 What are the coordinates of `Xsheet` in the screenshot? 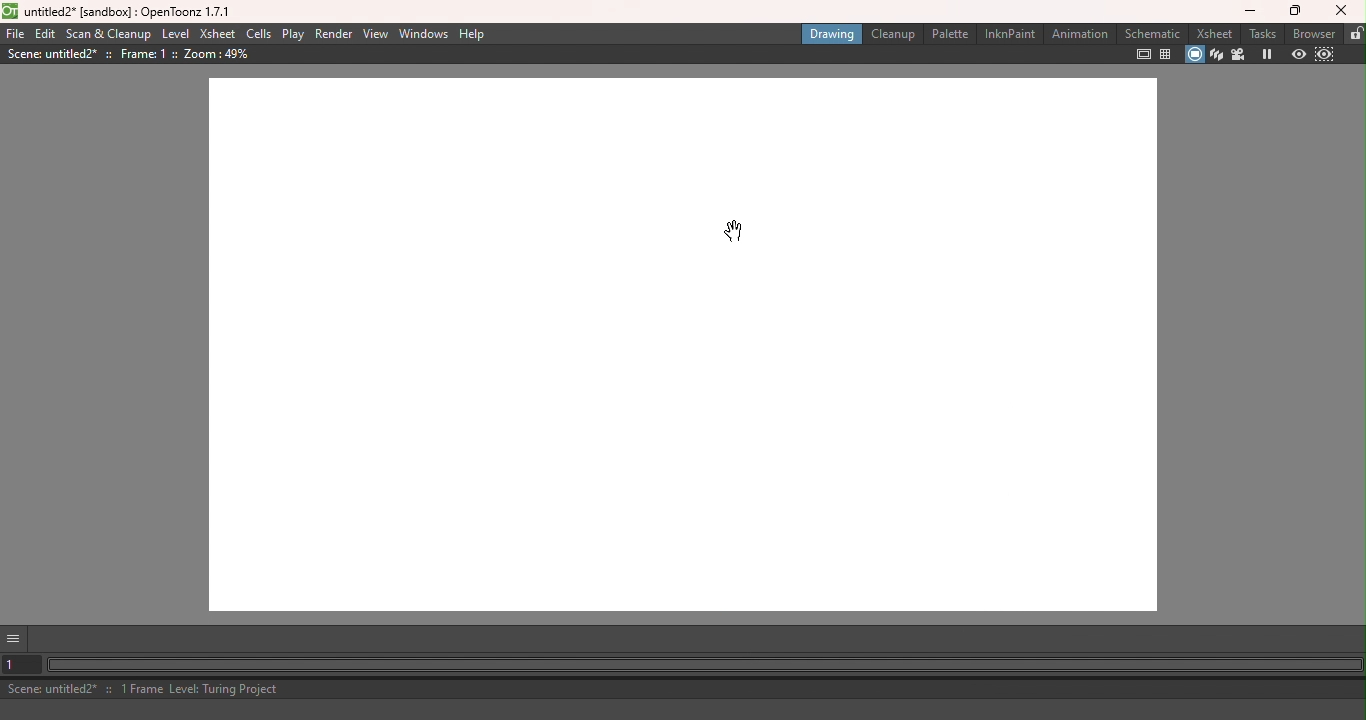 It's located at (1216, 31).